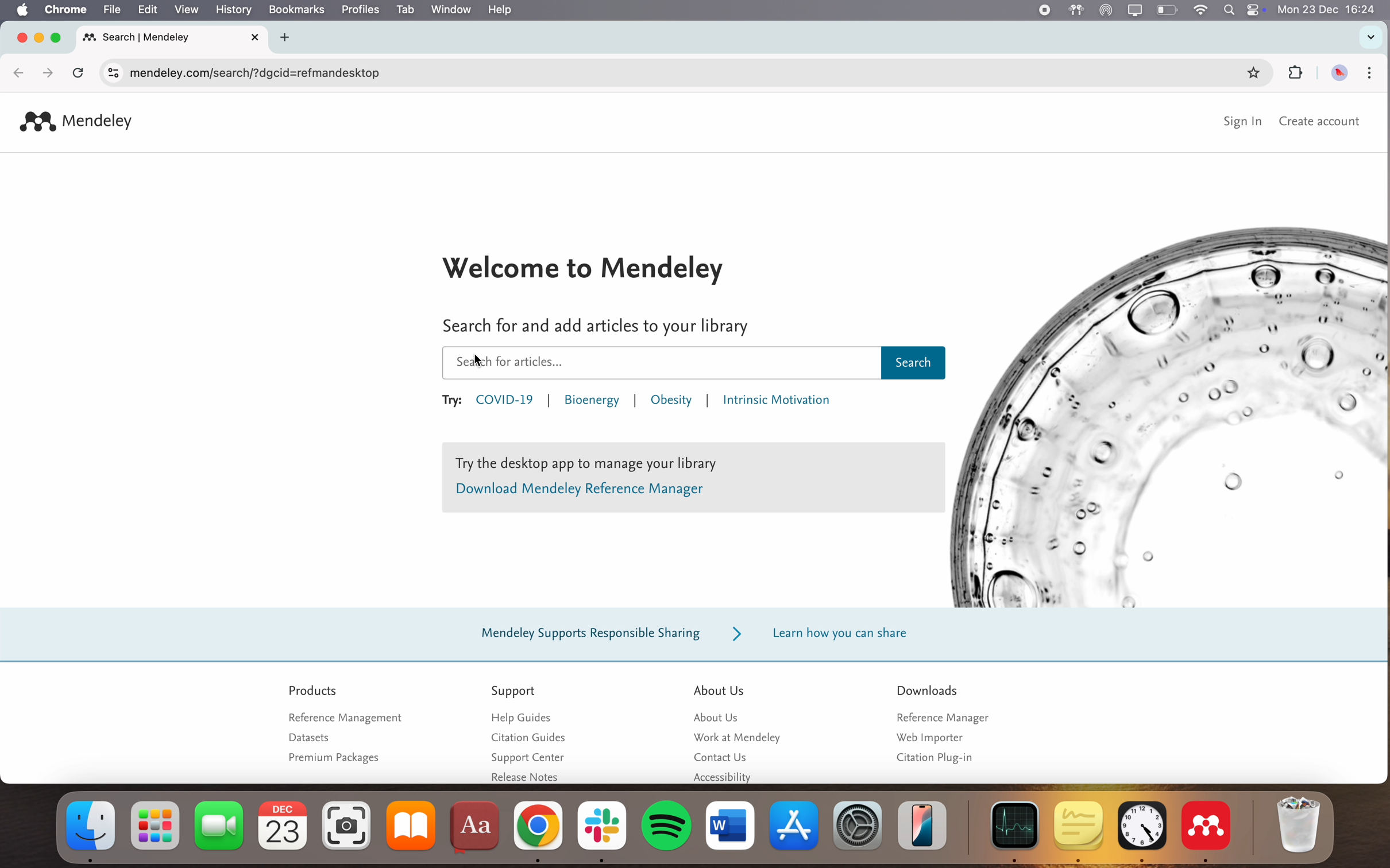  What do you see at coordinates (1371, 37) in the screenshot?
I see `search tabs` at bounding box center [1371, 37].